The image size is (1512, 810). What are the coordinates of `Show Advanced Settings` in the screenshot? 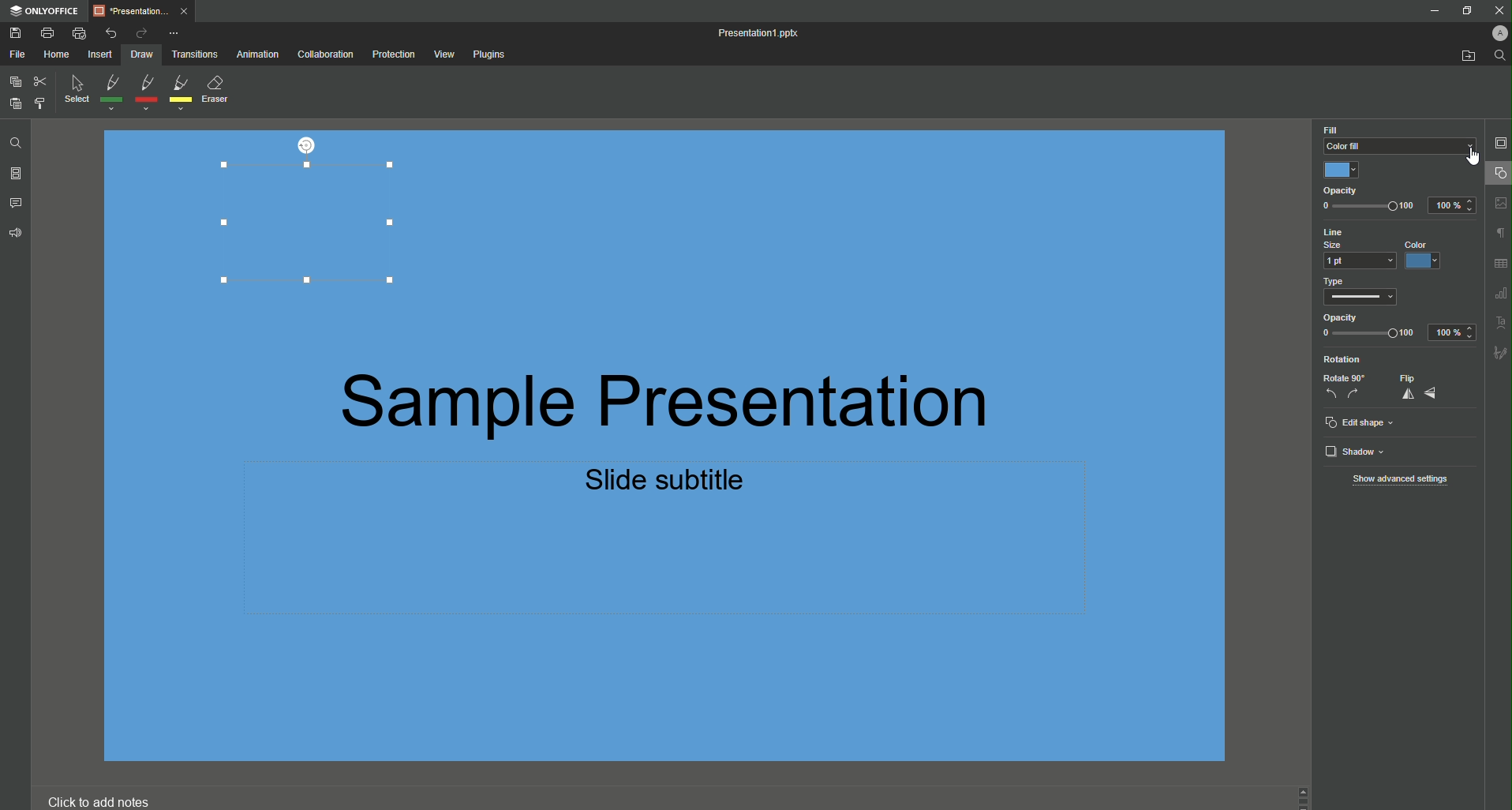 It's located at (1403, 481).